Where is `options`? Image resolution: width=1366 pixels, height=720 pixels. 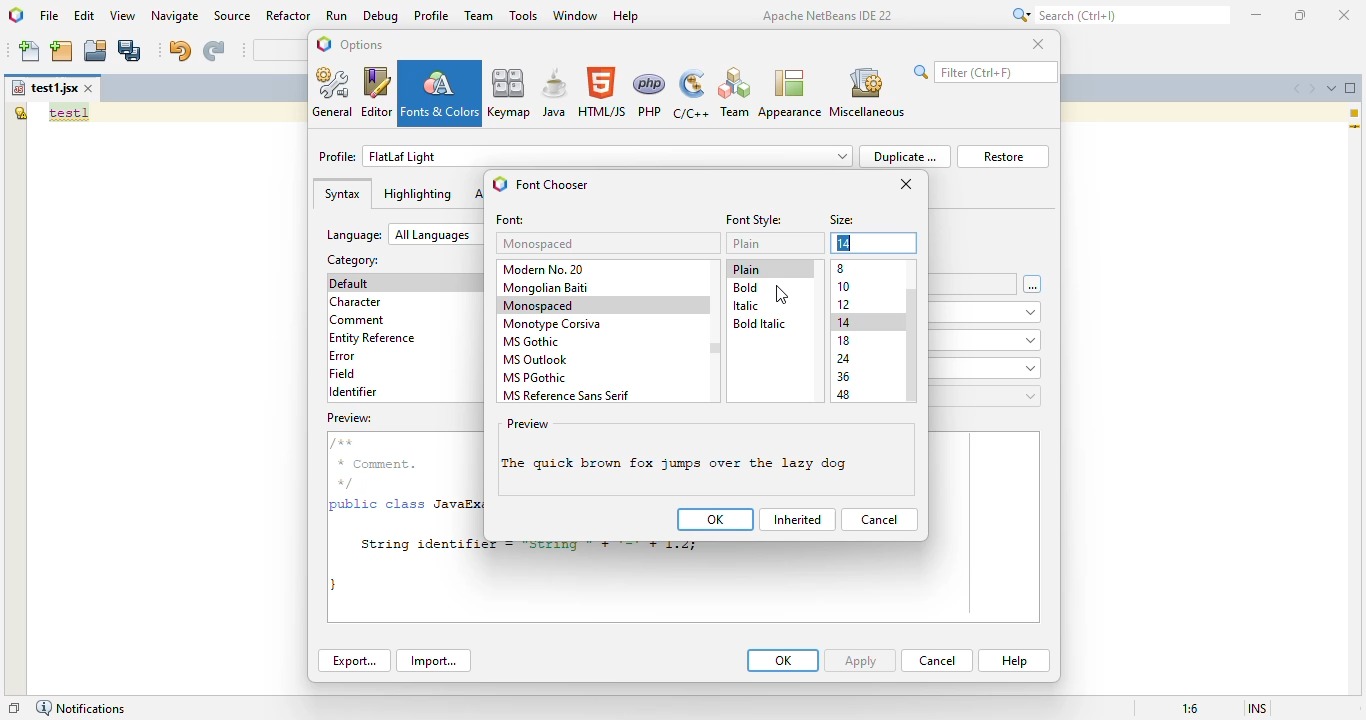
options is located at coordinates (363, 45).